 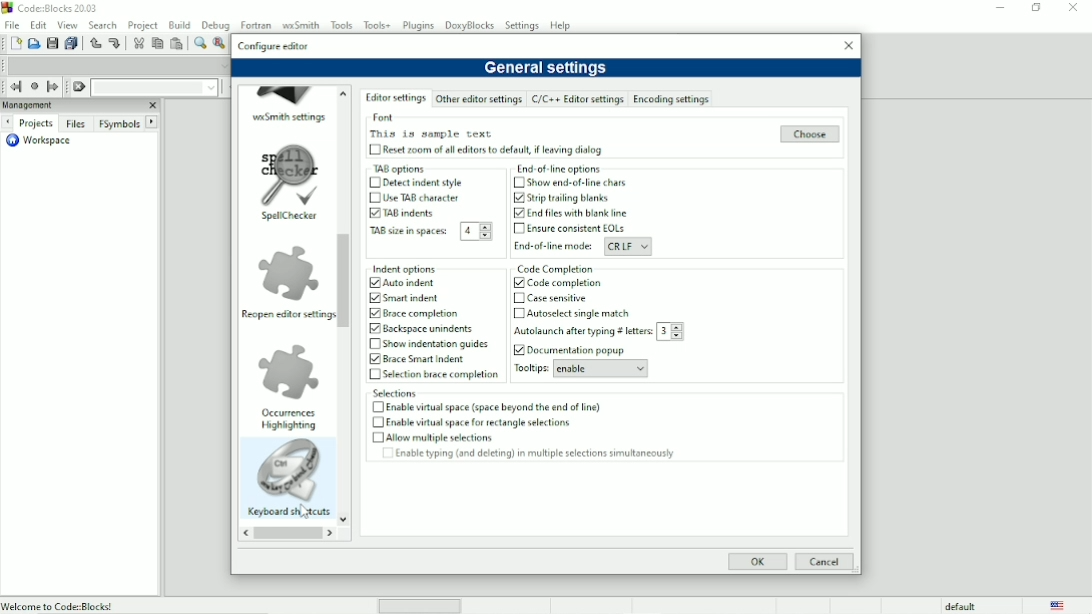 What do you see at coordinates (517, 197) in the screenshot?
I see `` at bounding box center [517, 197].